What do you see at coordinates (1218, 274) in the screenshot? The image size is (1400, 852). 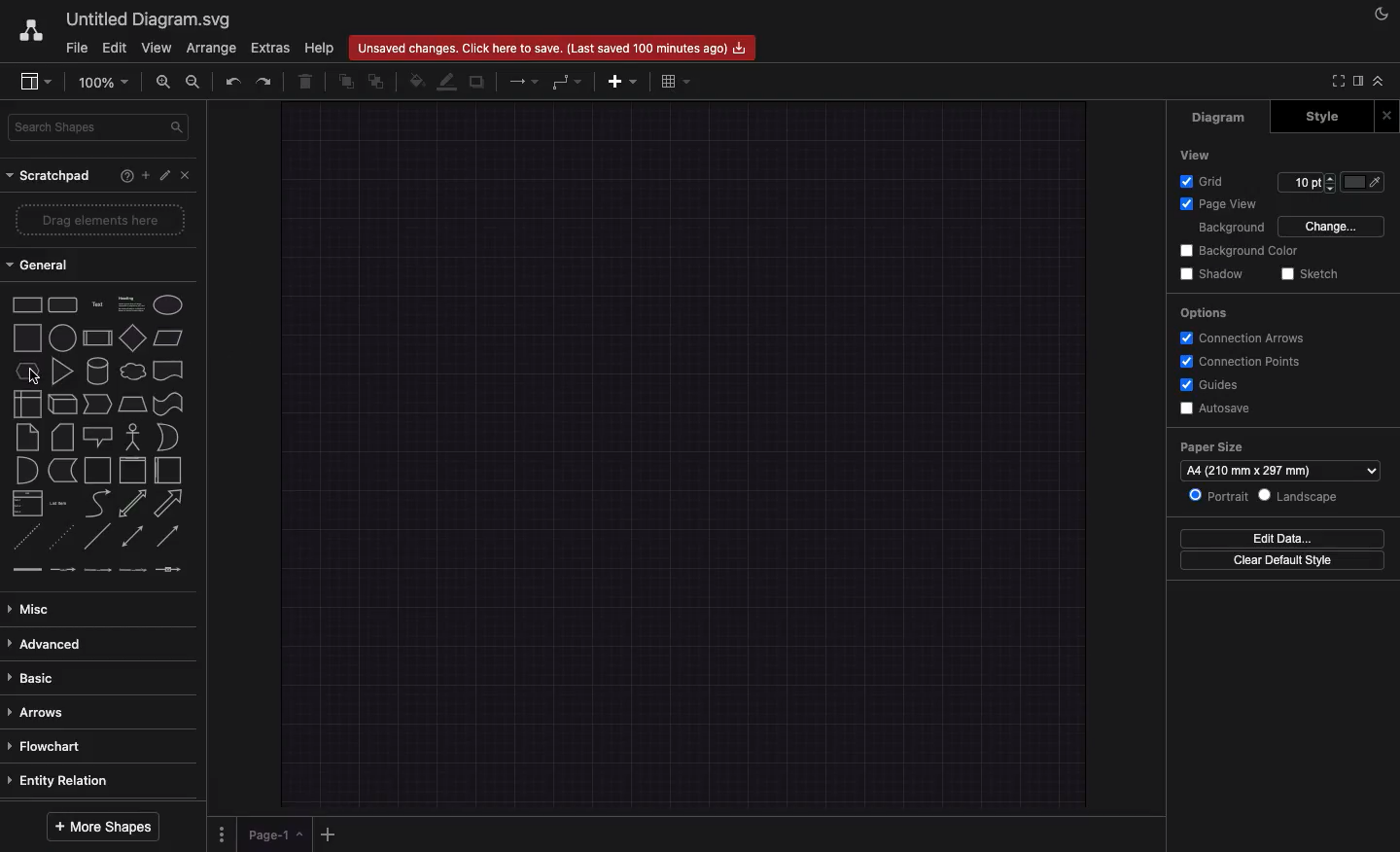 I see `Shadow` at bounding box center [1218, 274].